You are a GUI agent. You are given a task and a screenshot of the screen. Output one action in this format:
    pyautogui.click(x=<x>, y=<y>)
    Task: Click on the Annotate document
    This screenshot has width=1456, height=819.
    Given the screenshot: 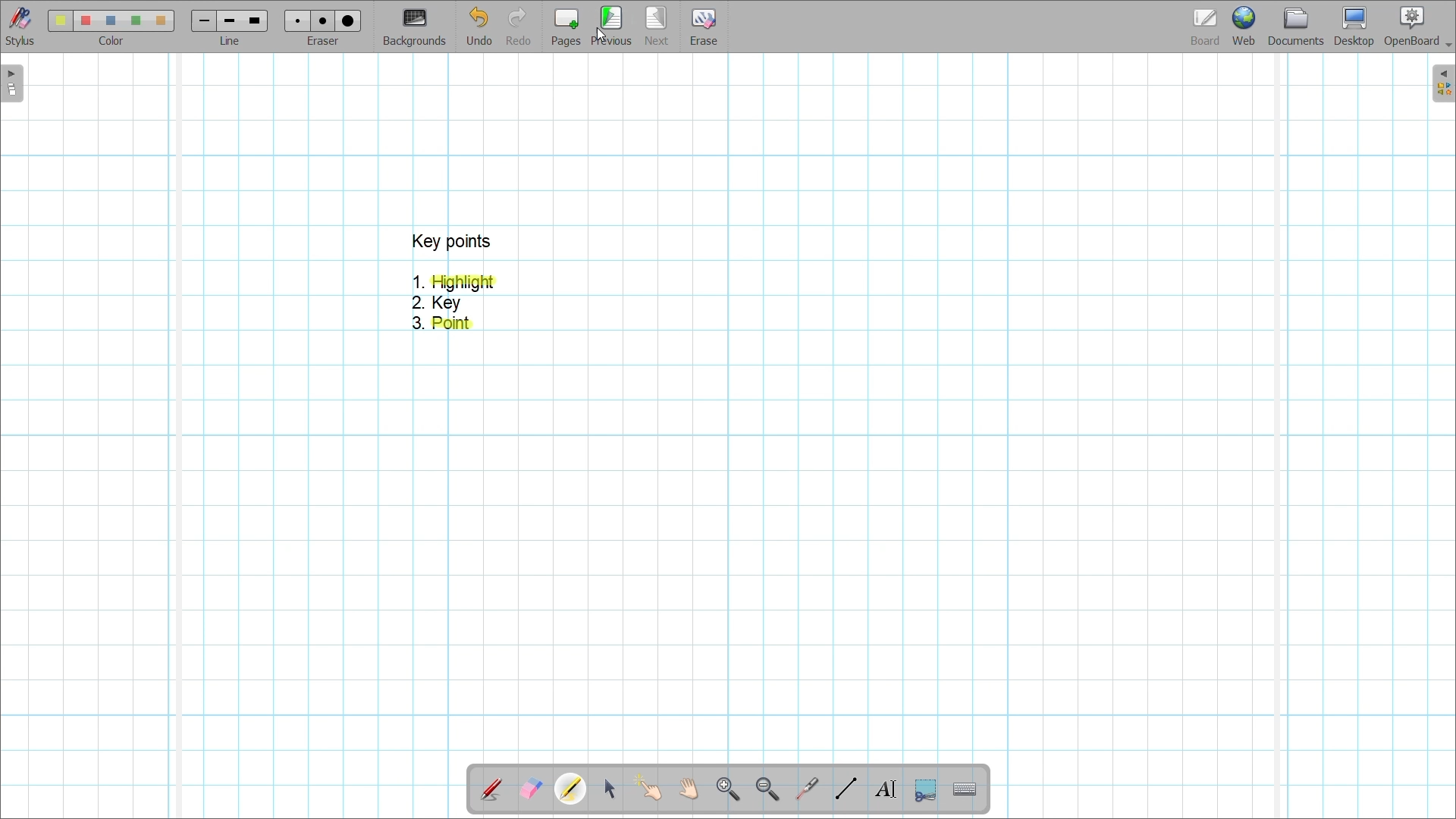 What is the action you would take?
    pyautogui.click(x=491, y=790)
    